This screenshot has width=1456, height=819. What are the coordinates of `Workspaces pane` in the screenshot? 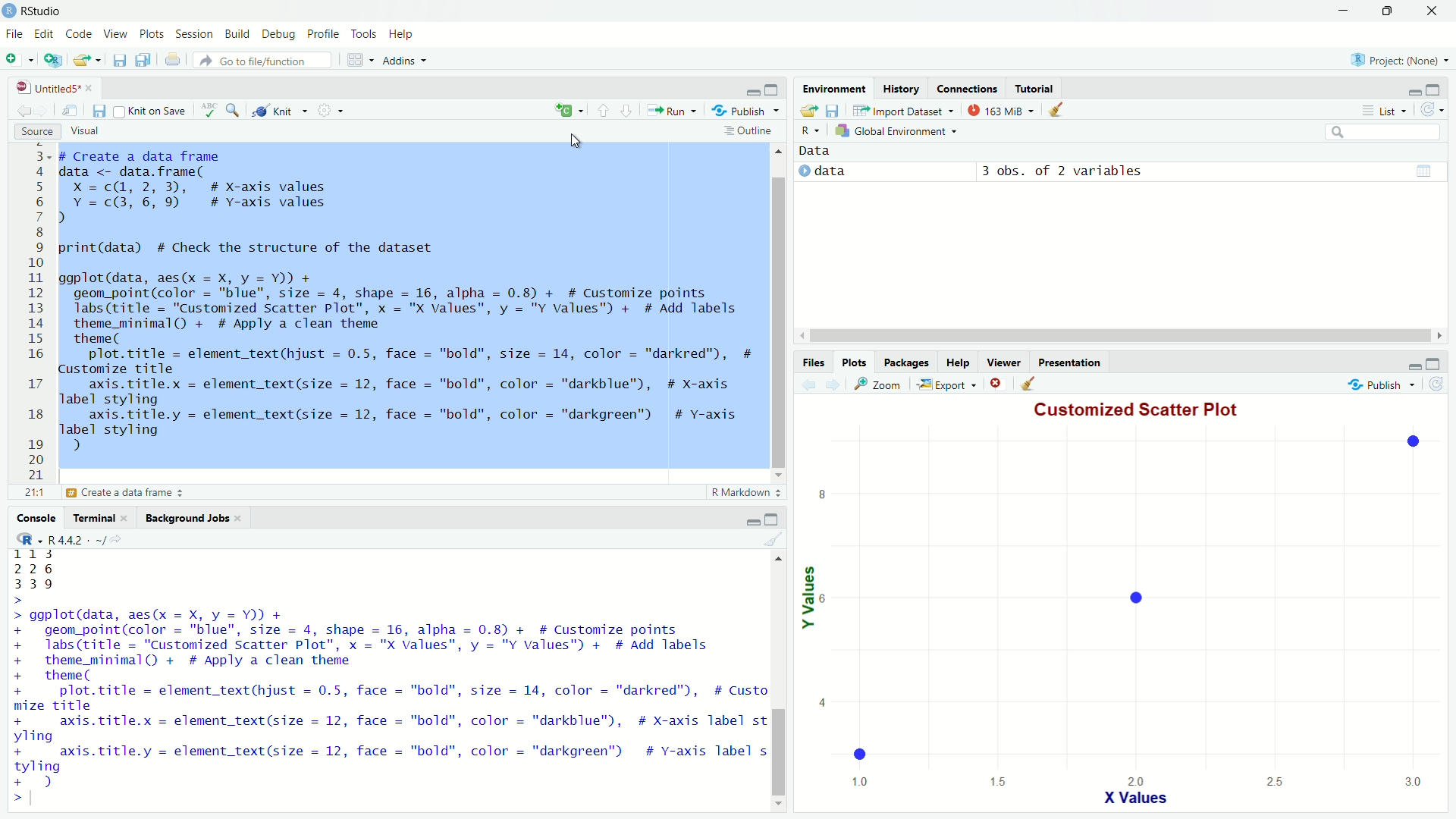 It's located at (361, 60).